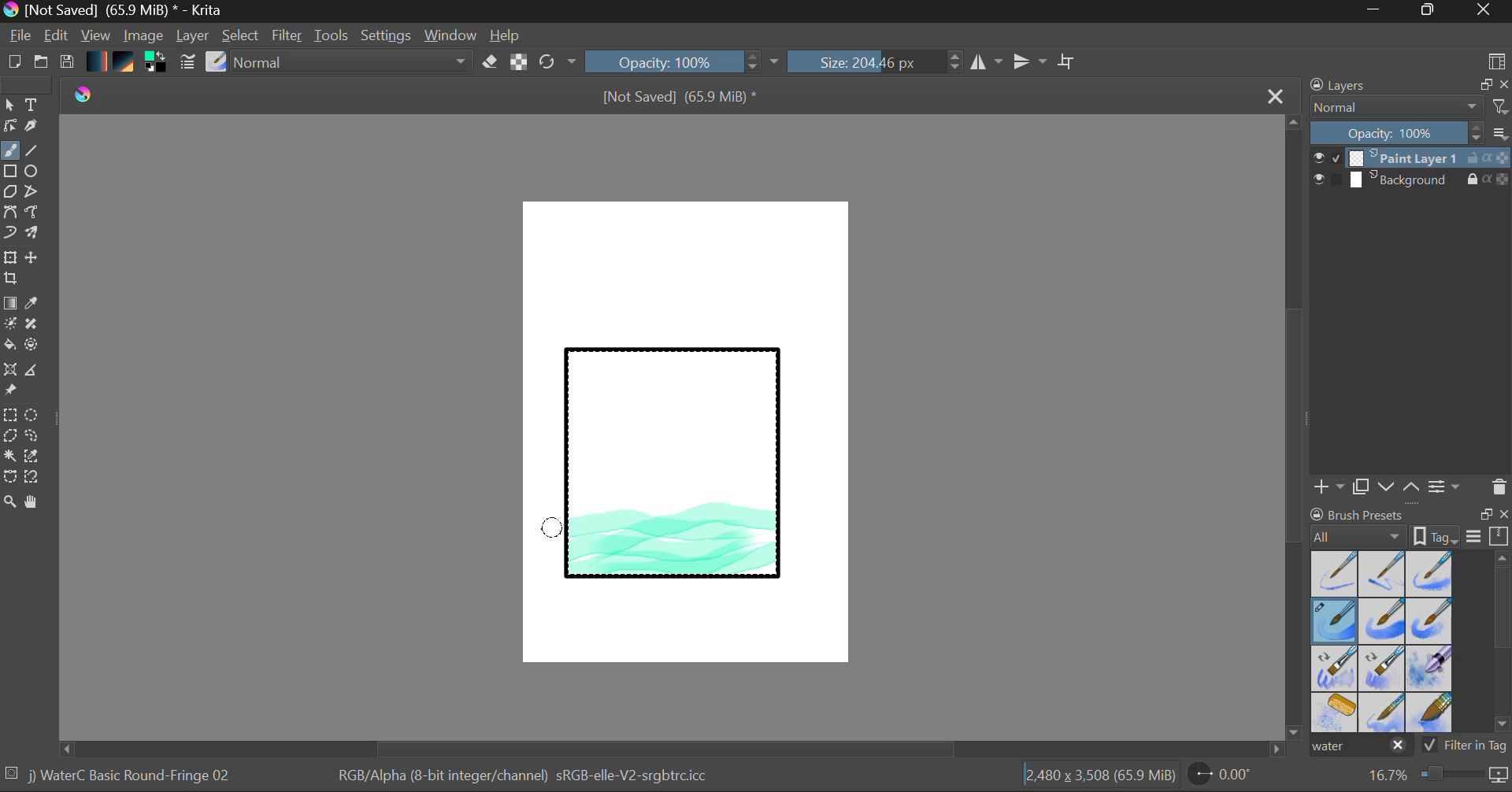  Describe the element at coordinates (1099, 778) in the screenshot. I see `Document Dimensions` at that location.